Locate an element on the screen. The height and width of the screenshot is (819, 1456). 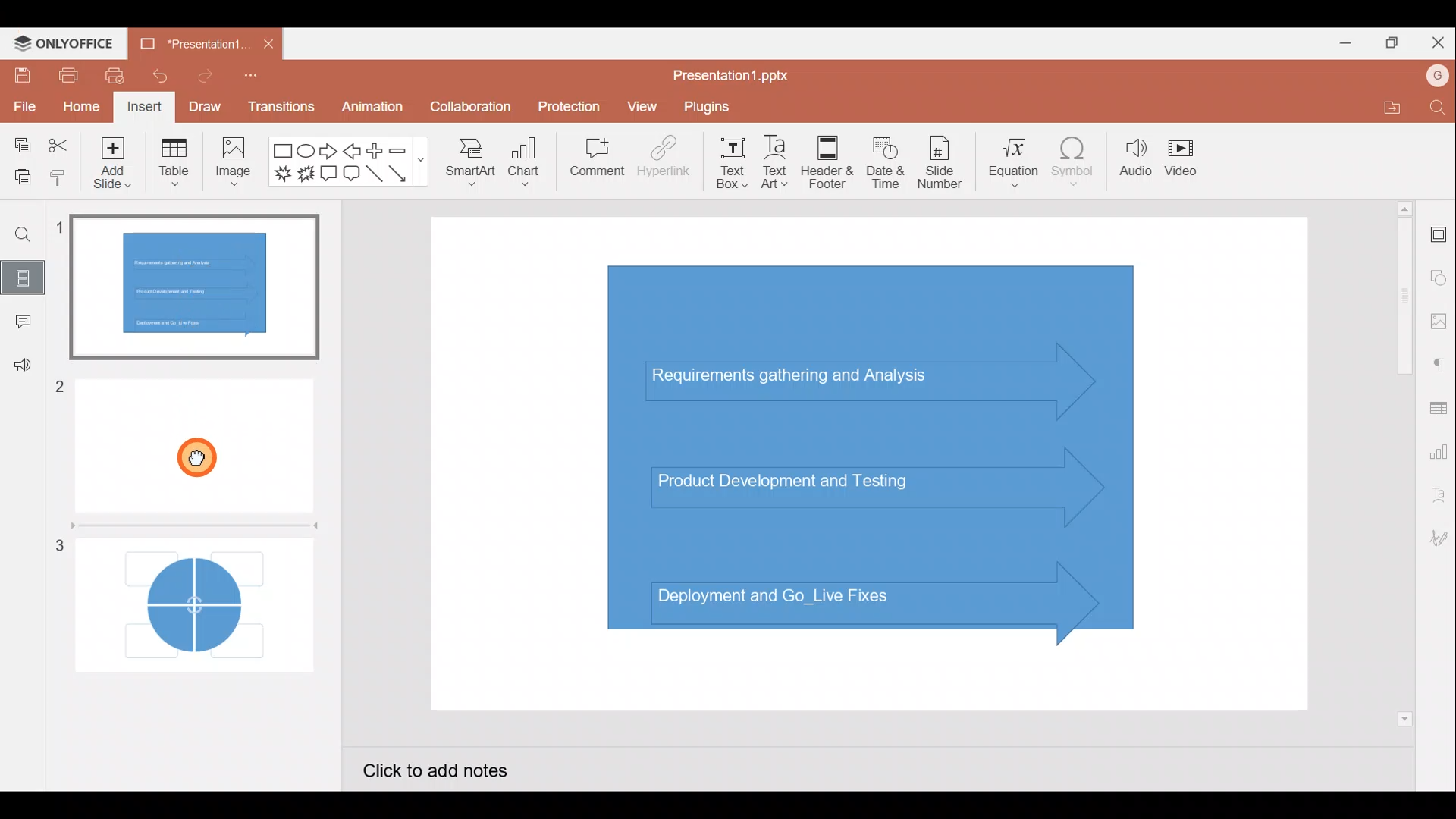
Explosion 1 is located at coordinates (281, 172).